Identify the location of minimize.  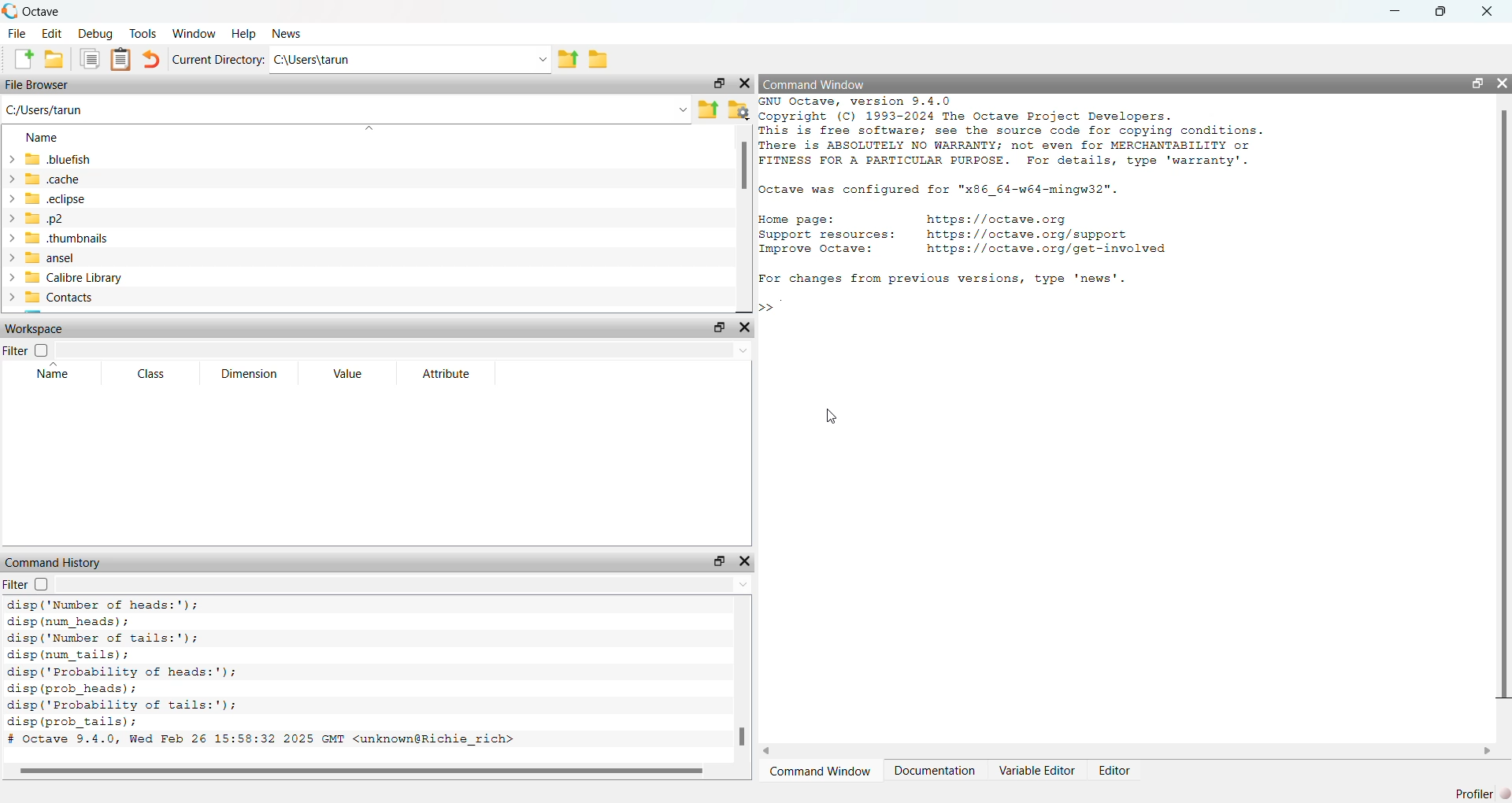
(1395, 11).